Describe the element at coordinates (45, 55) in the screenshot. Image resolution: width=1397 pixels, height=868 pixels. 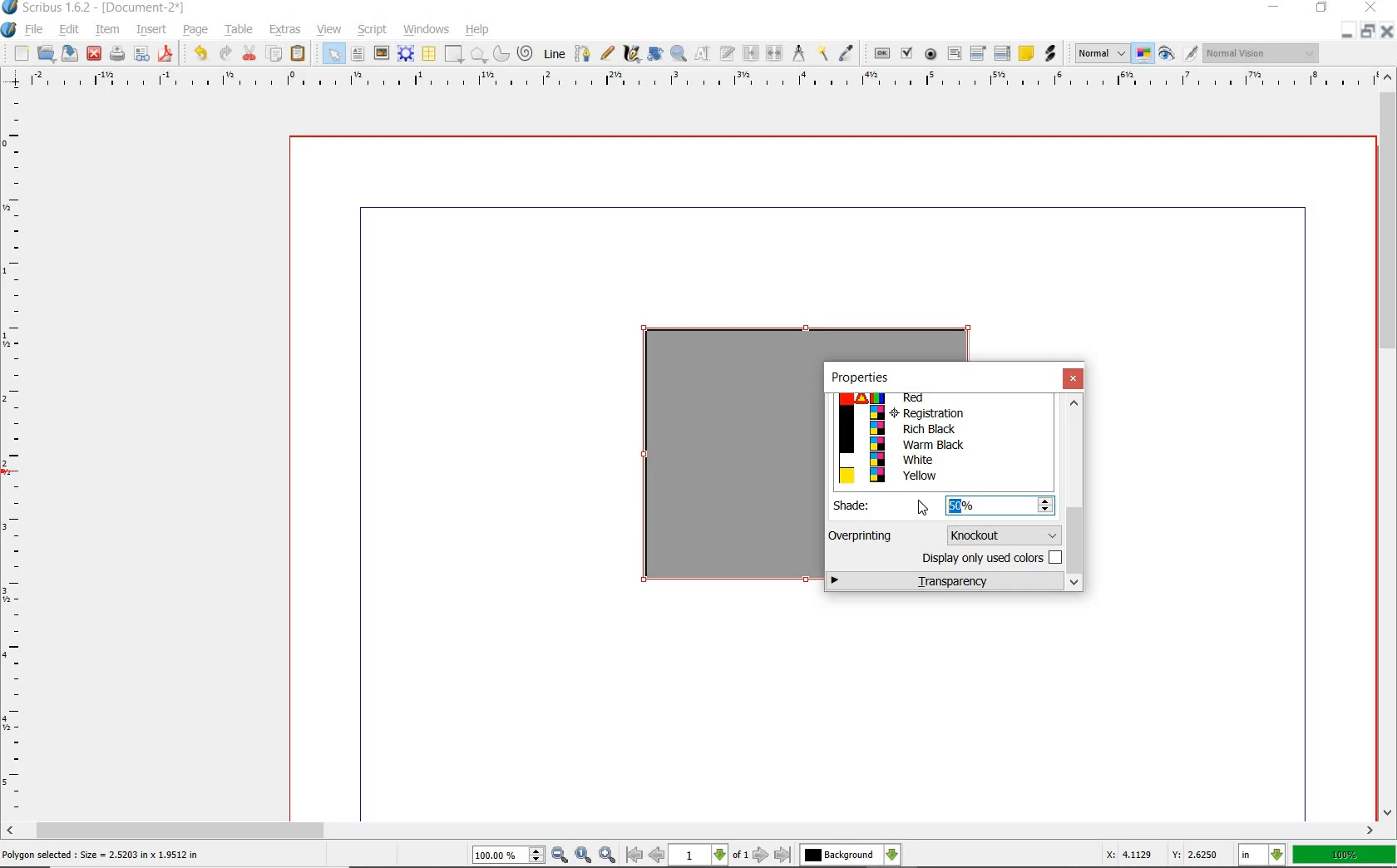
I see `open` at that location.